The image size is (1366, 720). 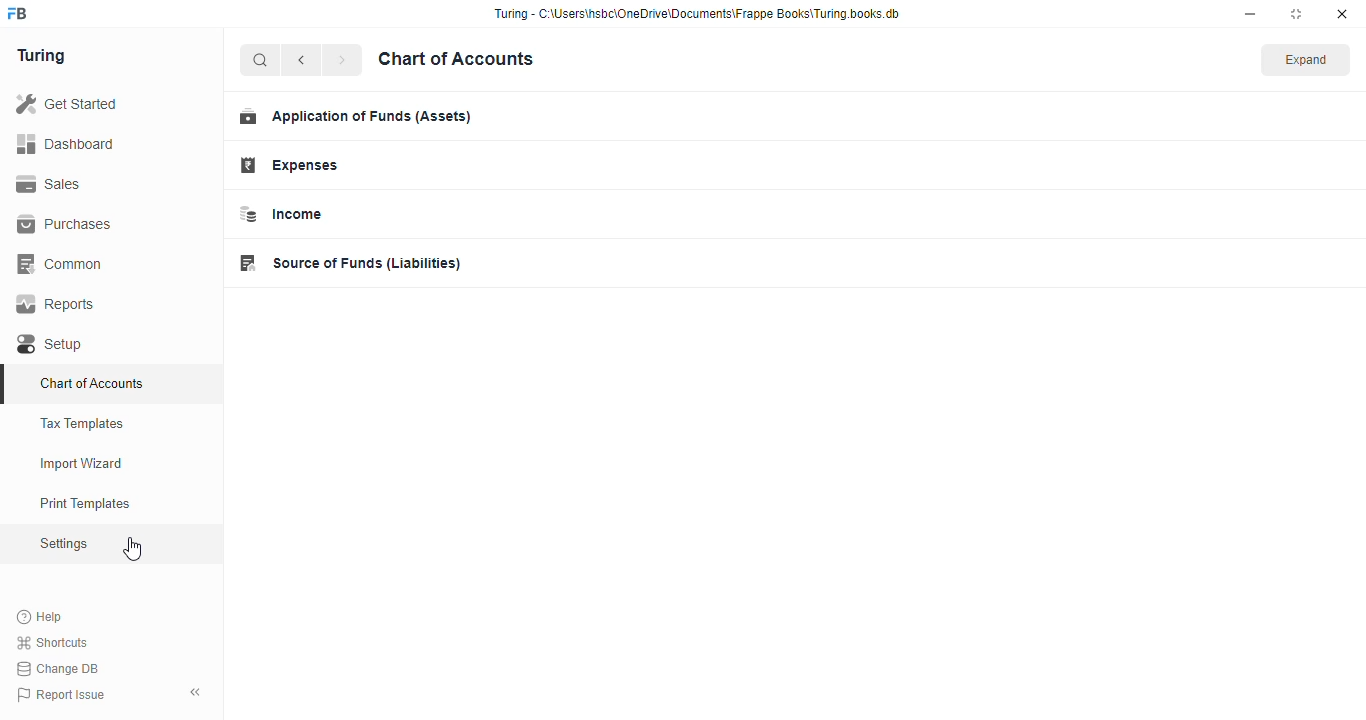 What do you see at coordinates (66, 104) in the screenshot?
I see `get started` at bounding box center [66, 104].